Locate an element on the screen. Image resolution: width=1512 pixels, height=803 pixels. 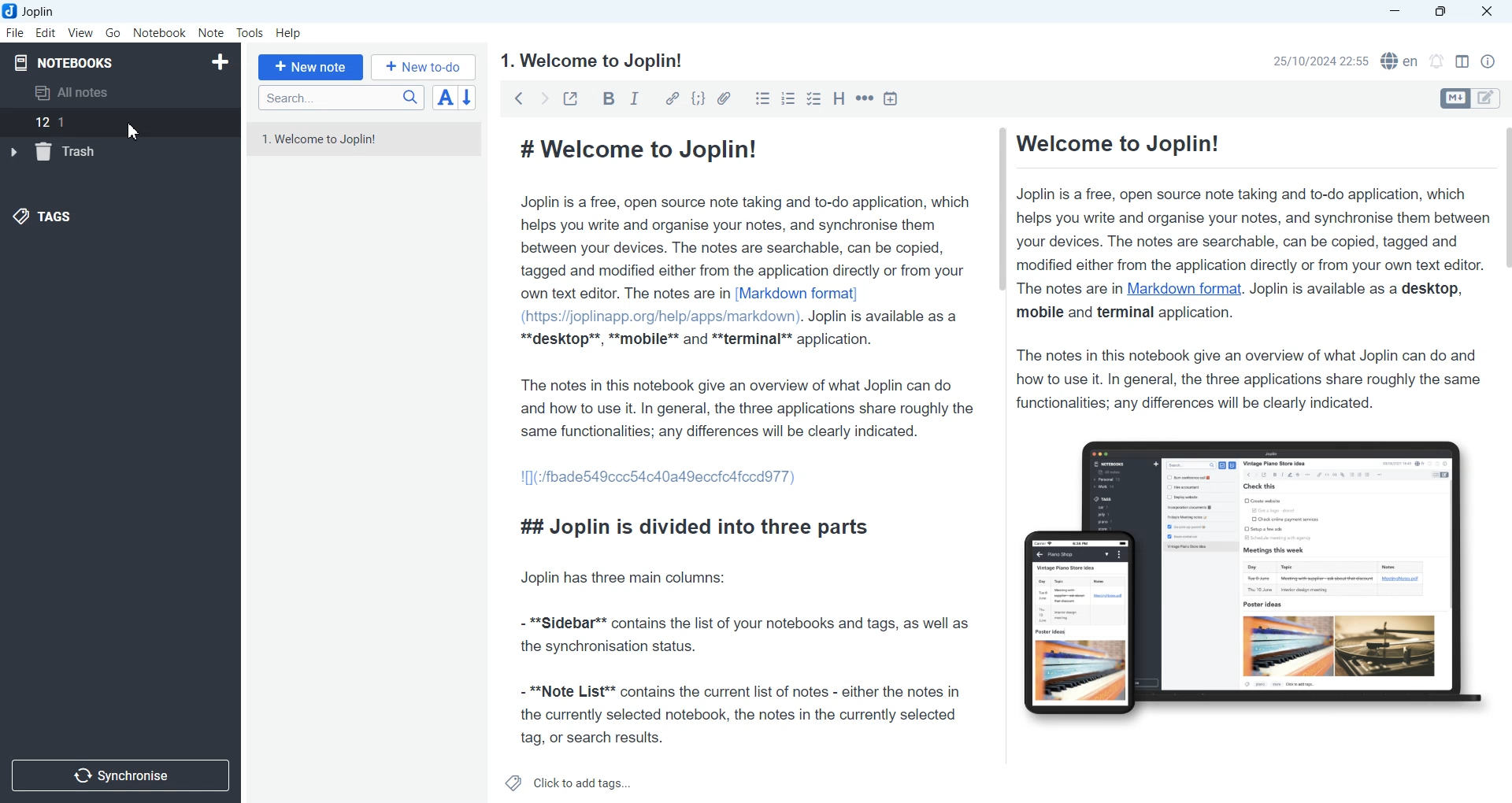
backward is located at coordinates (517, 97).